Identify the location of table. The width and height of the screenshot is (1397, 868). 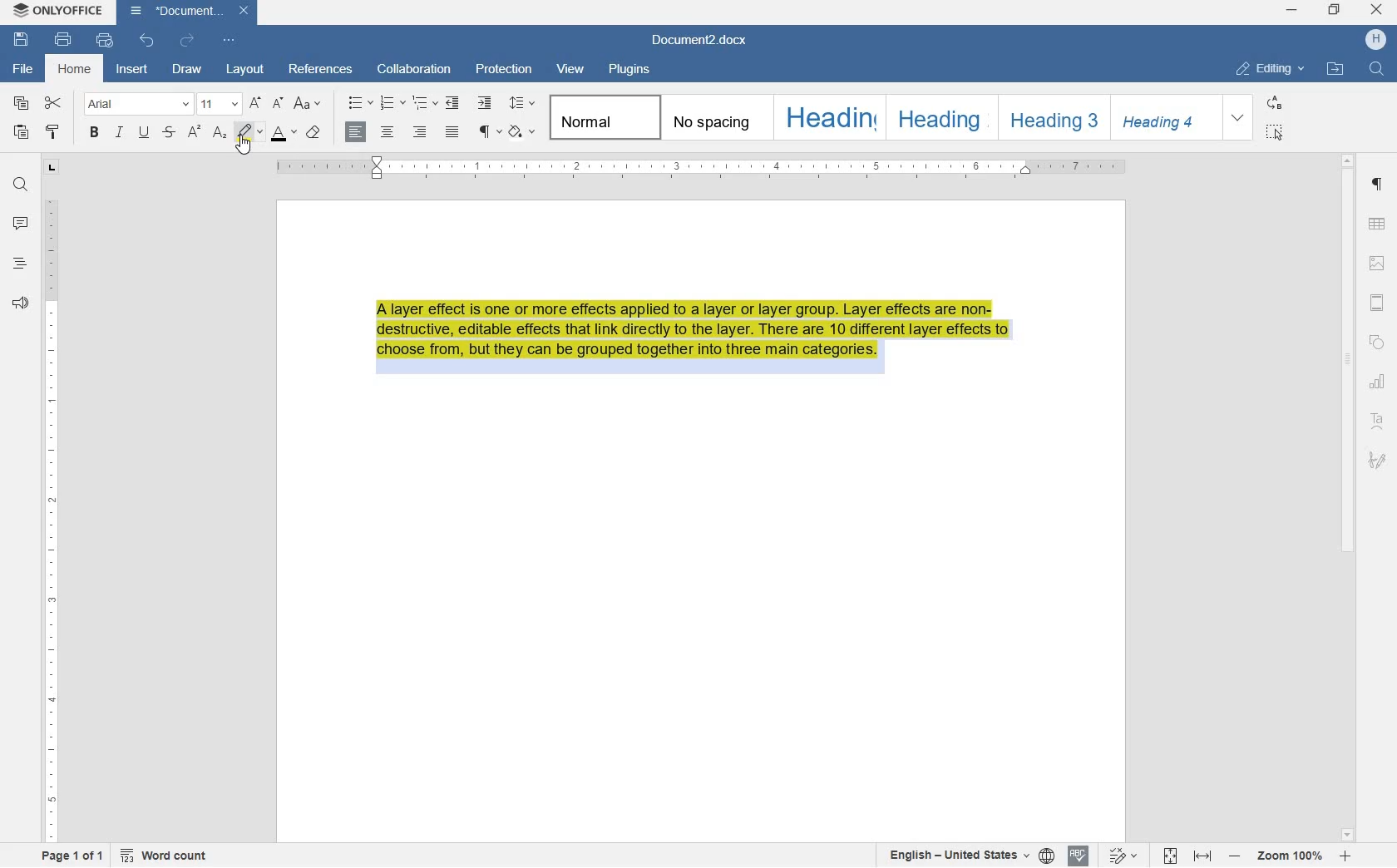
(1377, 224).